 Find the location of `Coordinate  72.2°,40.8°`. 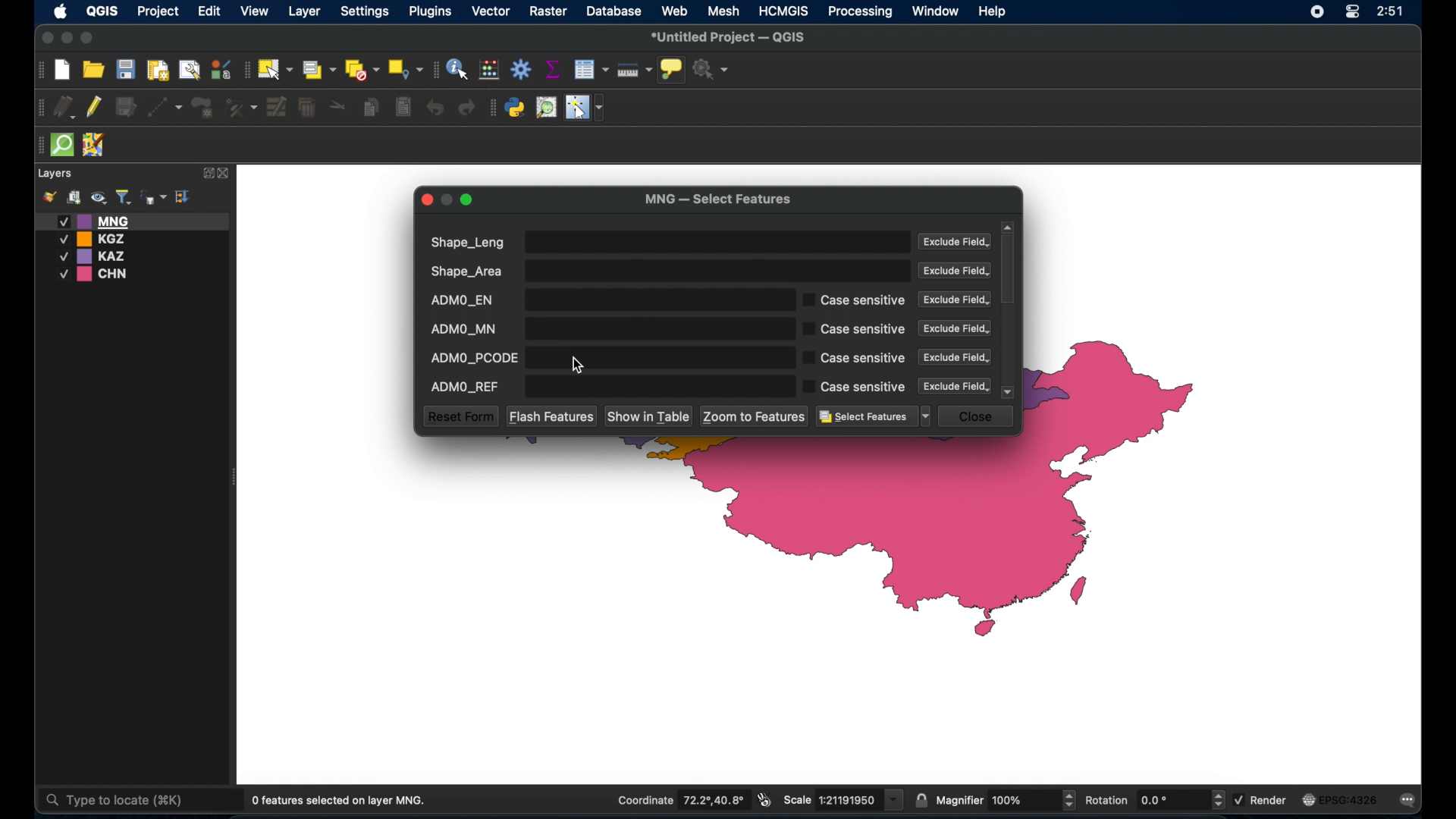

Coordinate  72.2°,40.8° is located at coordinates (679, 799).